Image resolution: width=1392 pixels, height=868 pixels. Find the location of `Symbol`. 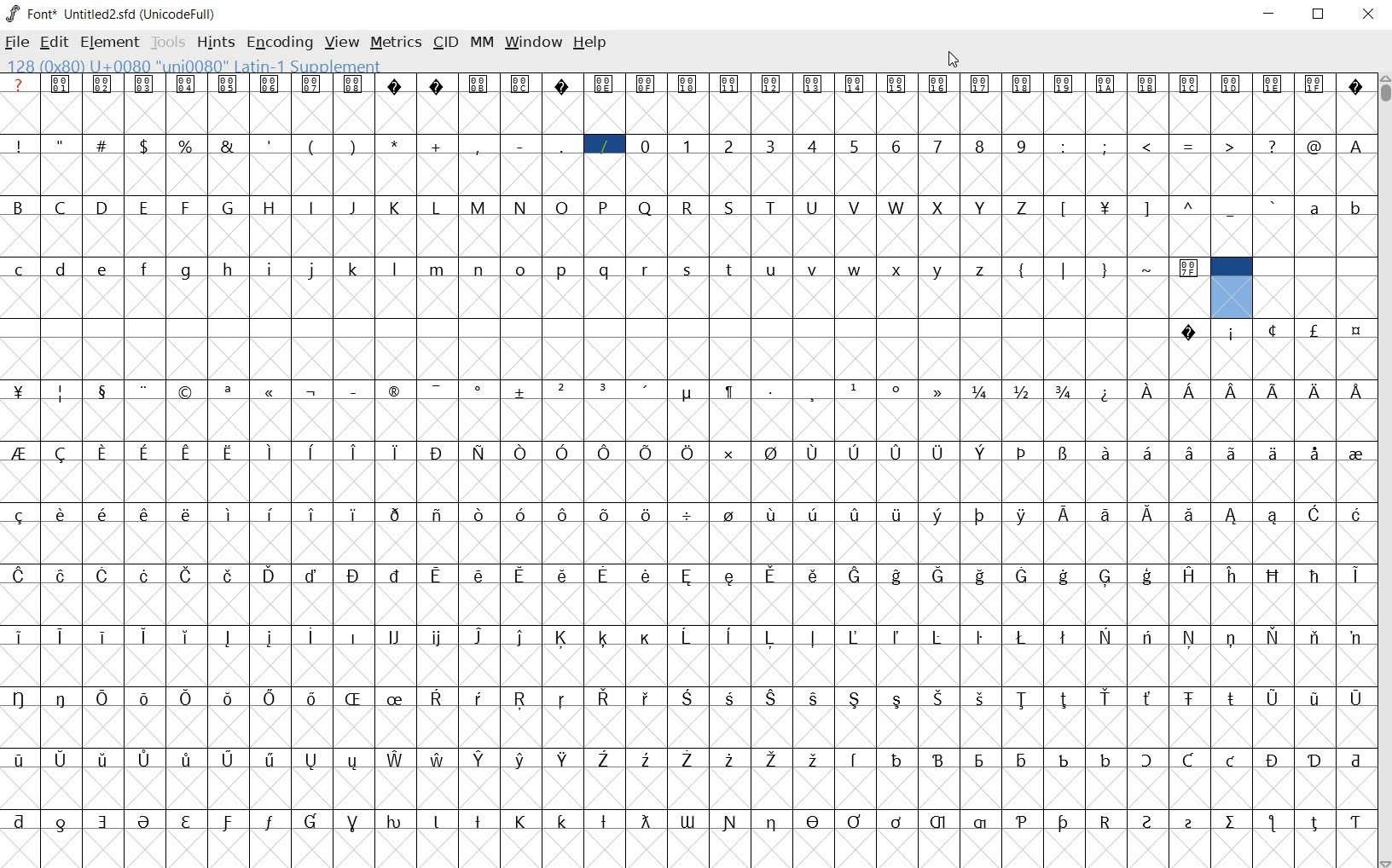

Symbol is located at coordinates (771, 574).